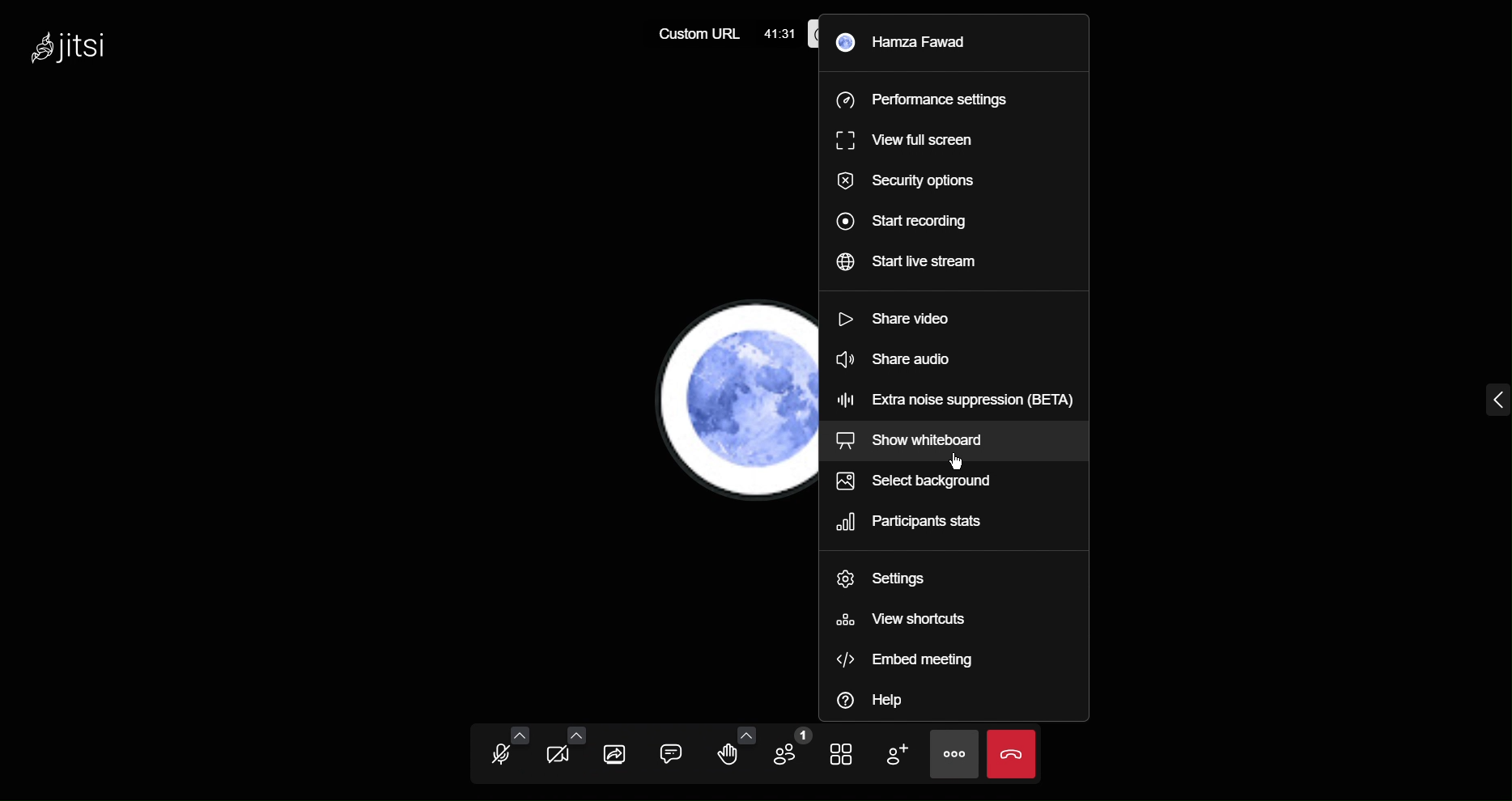 The width and height of the screenshot is (1512, 801). What do you see at coordinates (79, 53) in the screenshot?
I see `Jitsi` at bounding box center [79, 53].